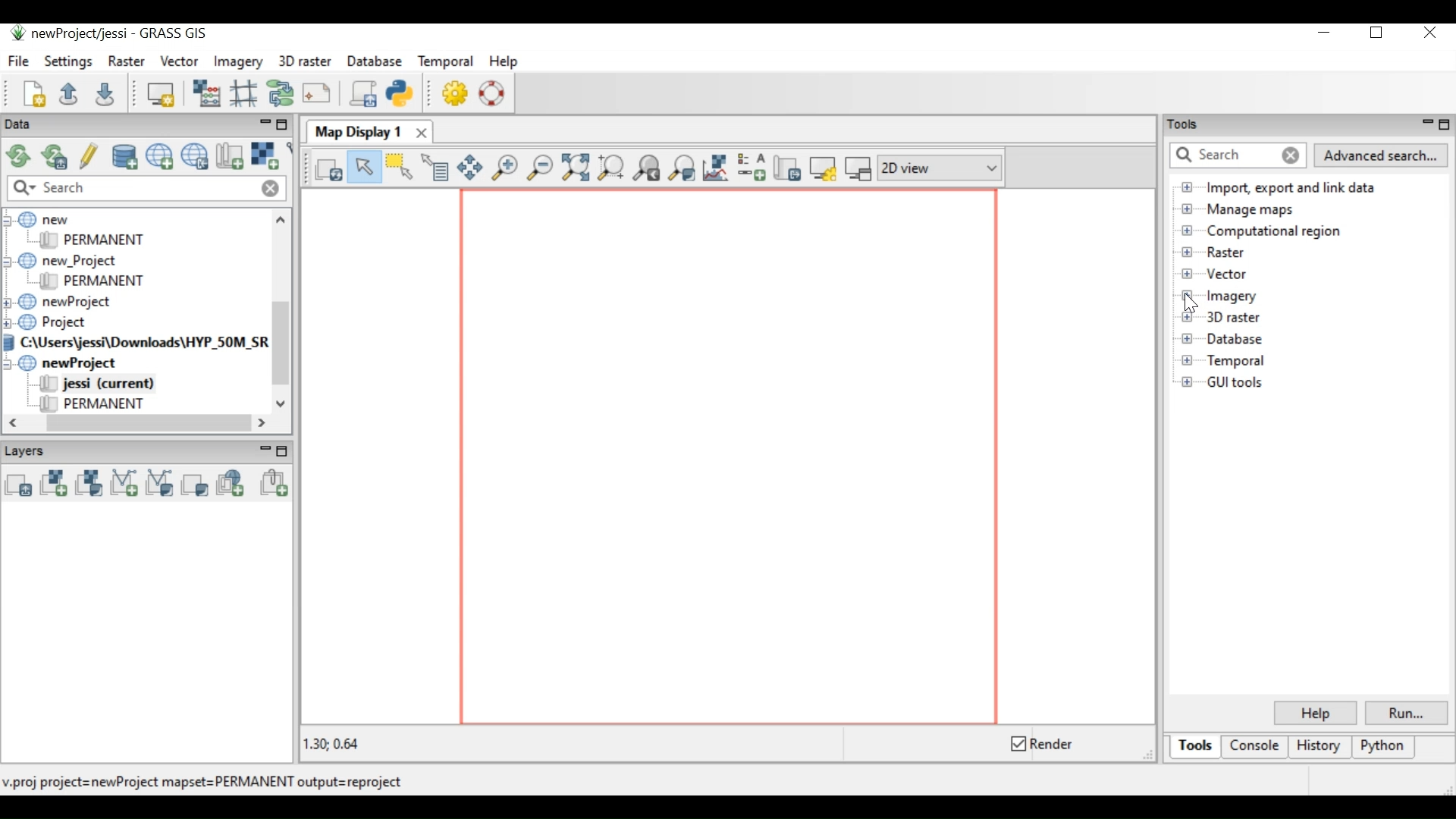  Describe the element at coordinates (1316, 713) in the screenshot. I see `Help` at that location.